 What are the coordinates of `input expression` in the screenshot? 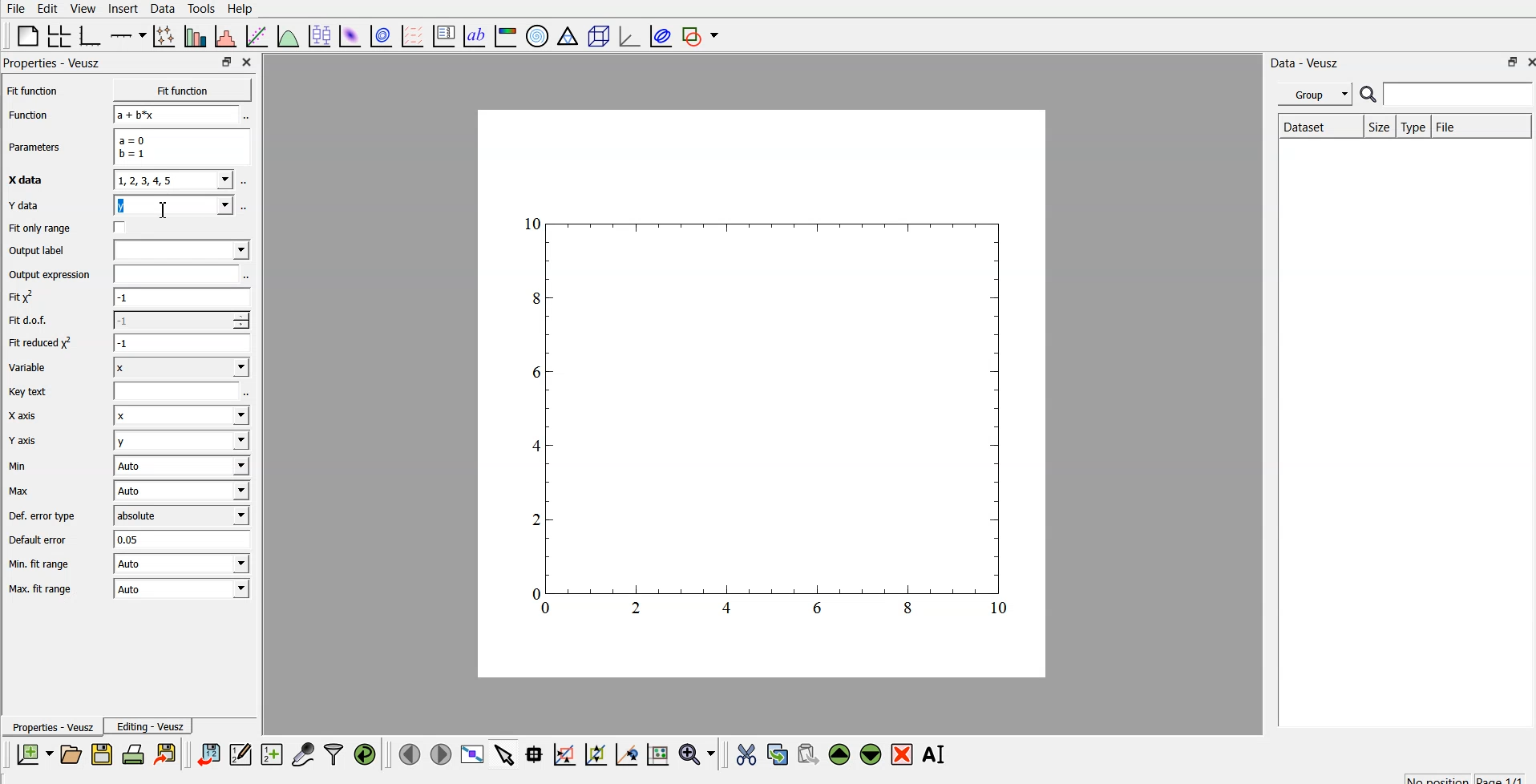 It's located at (182, 275).